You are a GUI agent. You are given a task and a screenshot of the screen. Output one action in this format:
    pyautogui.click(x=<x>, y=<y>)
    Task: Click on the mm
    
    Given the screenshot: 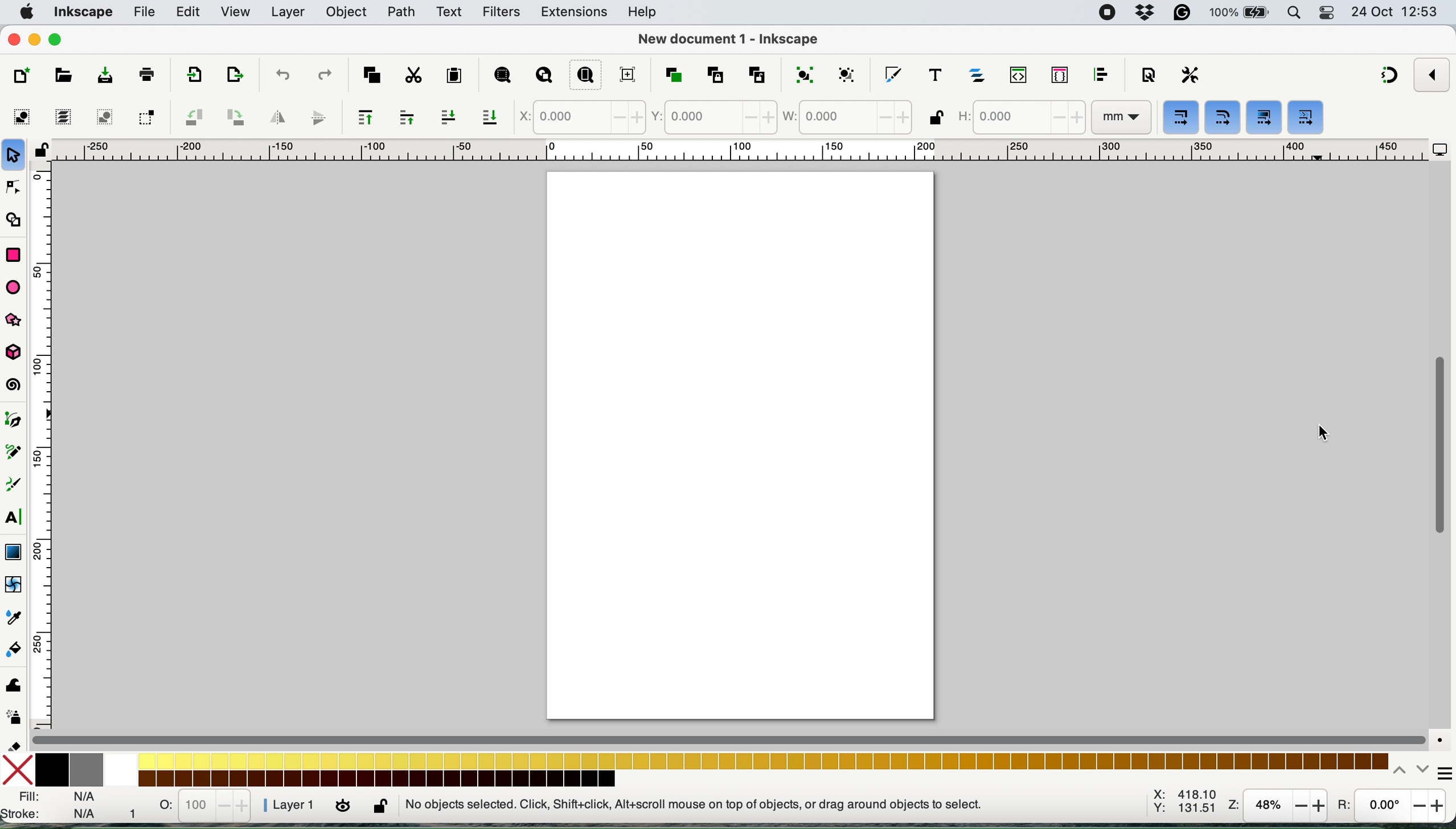 What is the action you would take?
    pyautogui.click(x=1121, y=117)
    